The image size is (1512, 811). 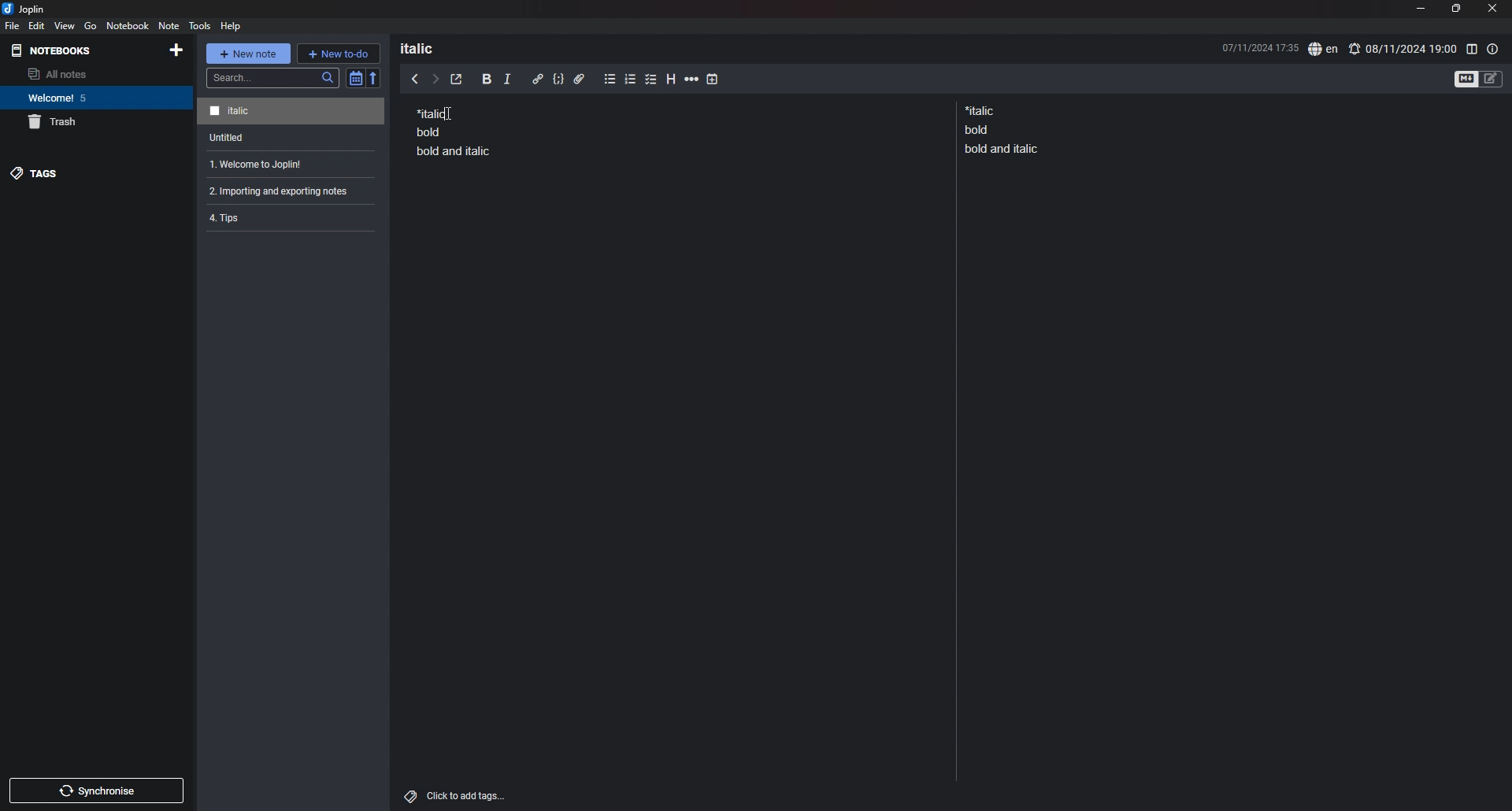 I want to click on edit, so click(x=37, y=25).